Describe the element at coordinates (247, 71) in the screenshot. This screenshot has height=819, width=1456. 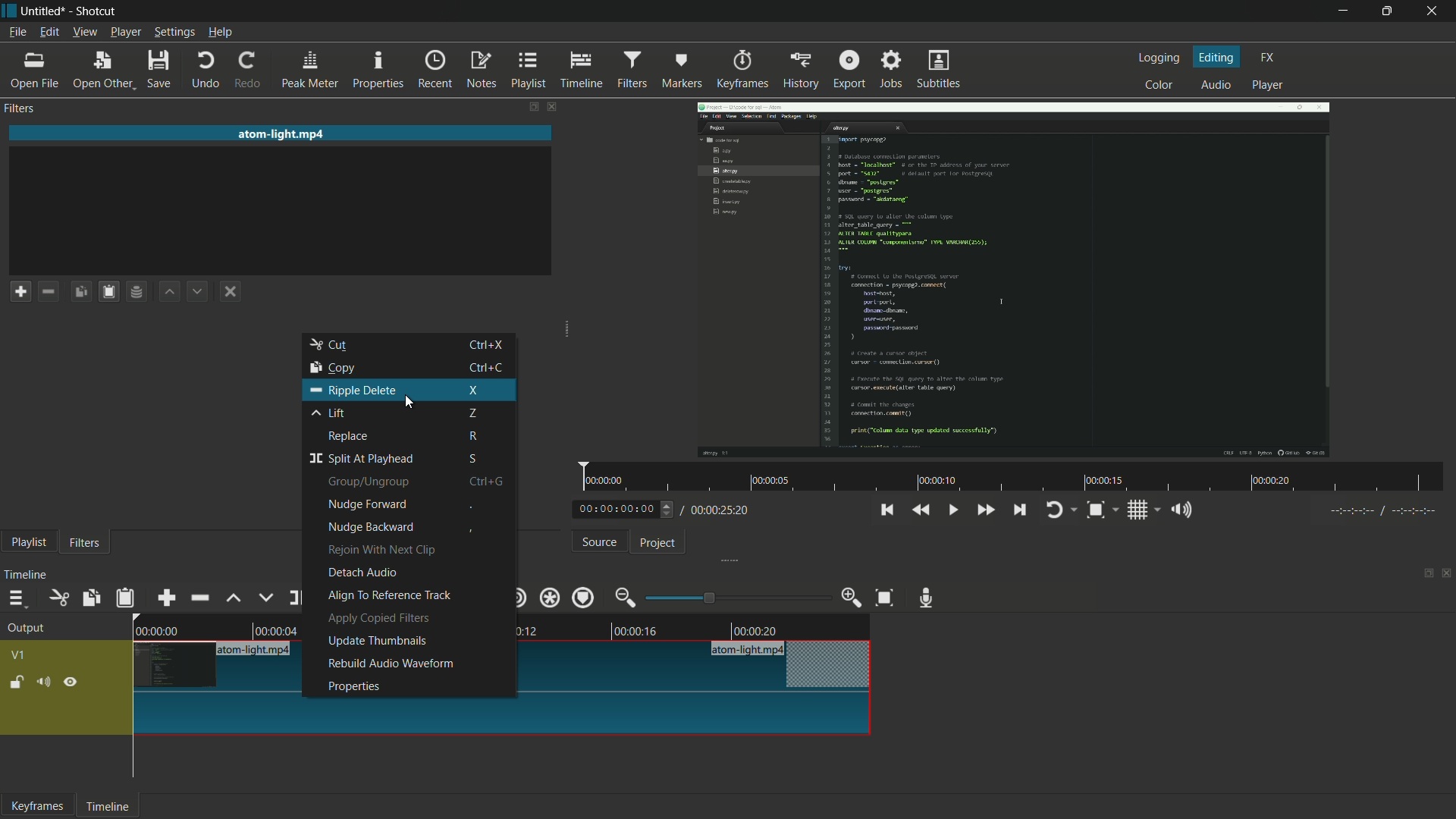
I see `redo` at that location.